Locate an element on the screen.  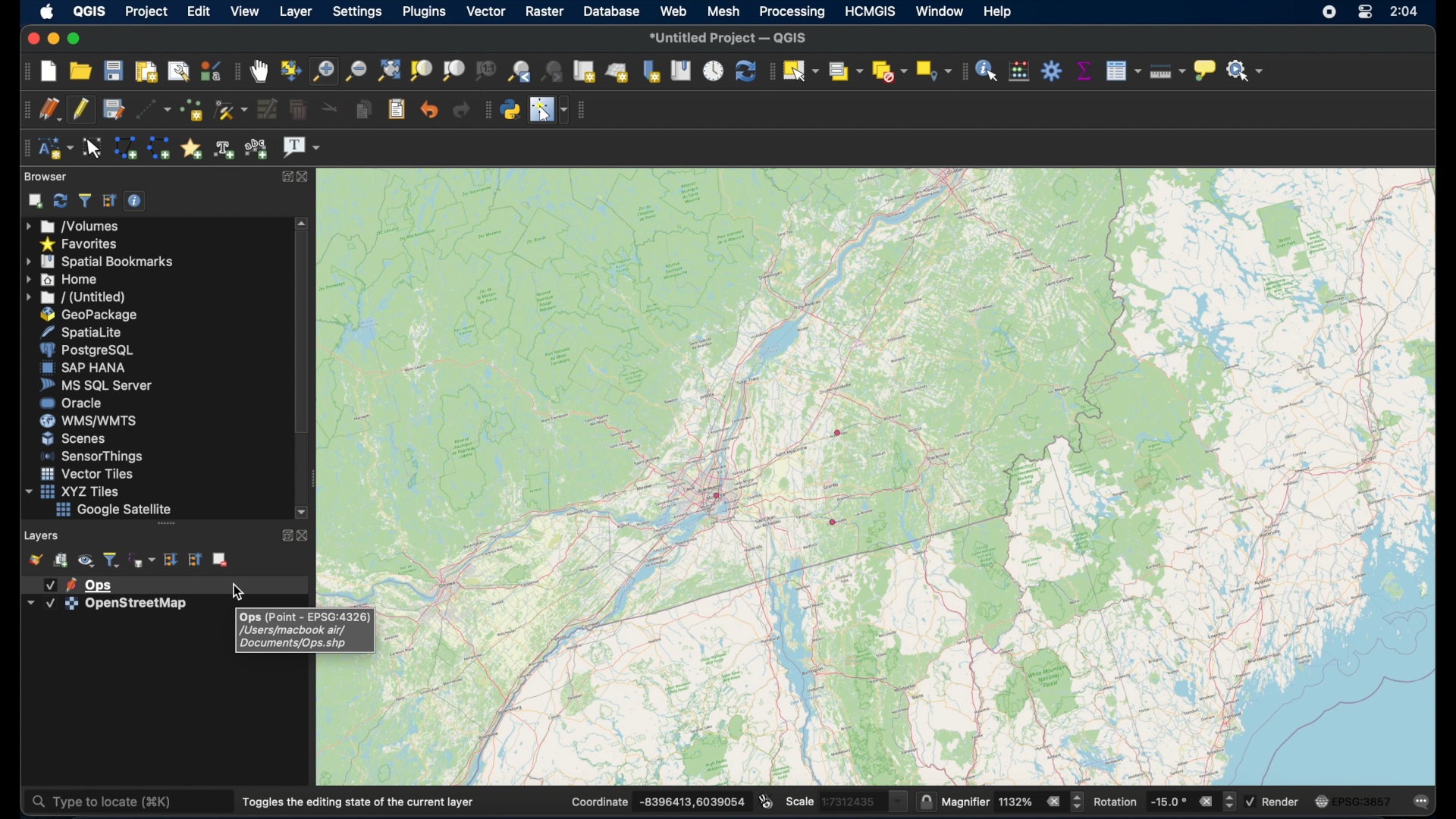
create line annotation is located at coordinates (158, 148).